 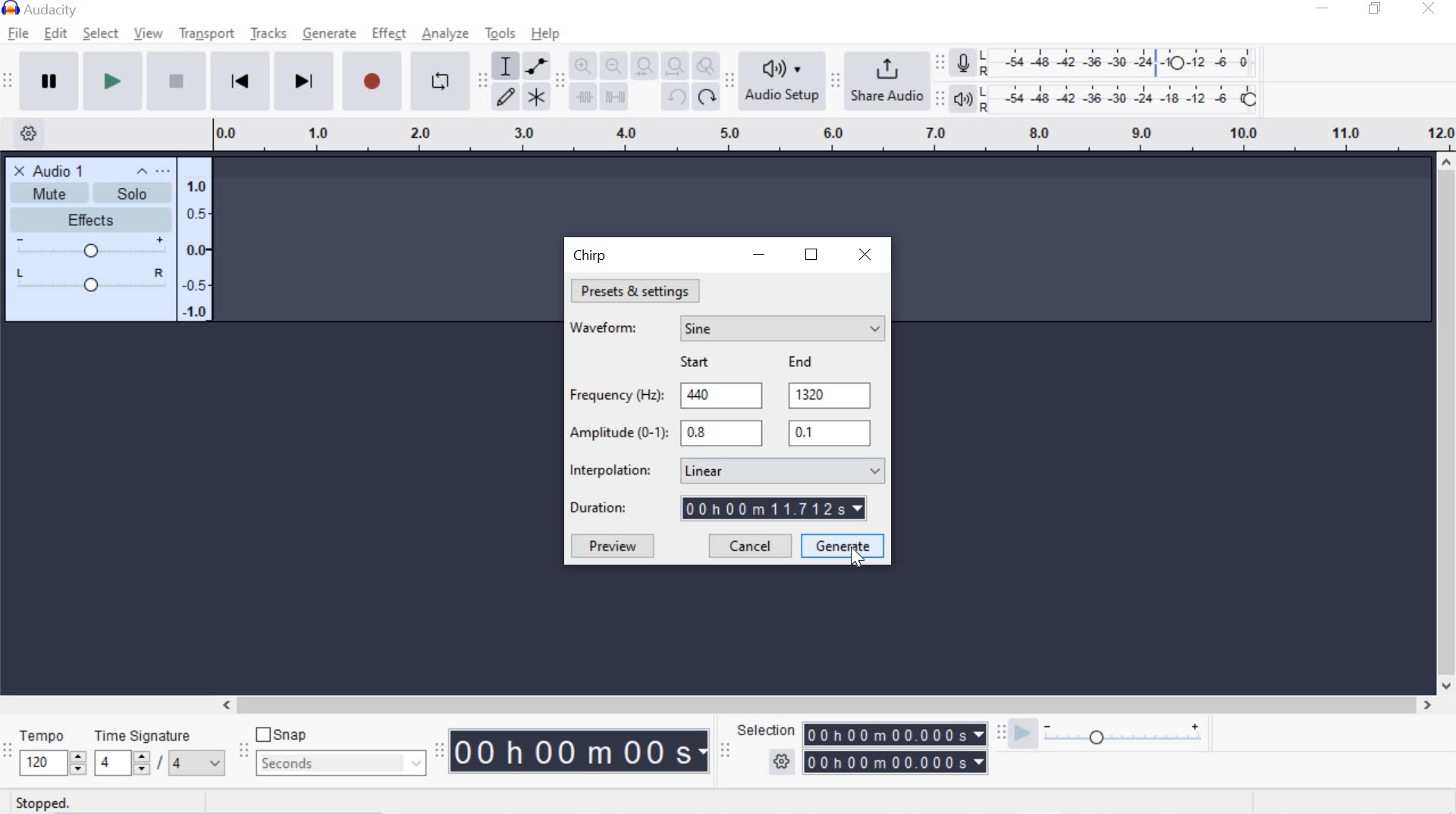 I want to click on help, so click(x=546, y=33).